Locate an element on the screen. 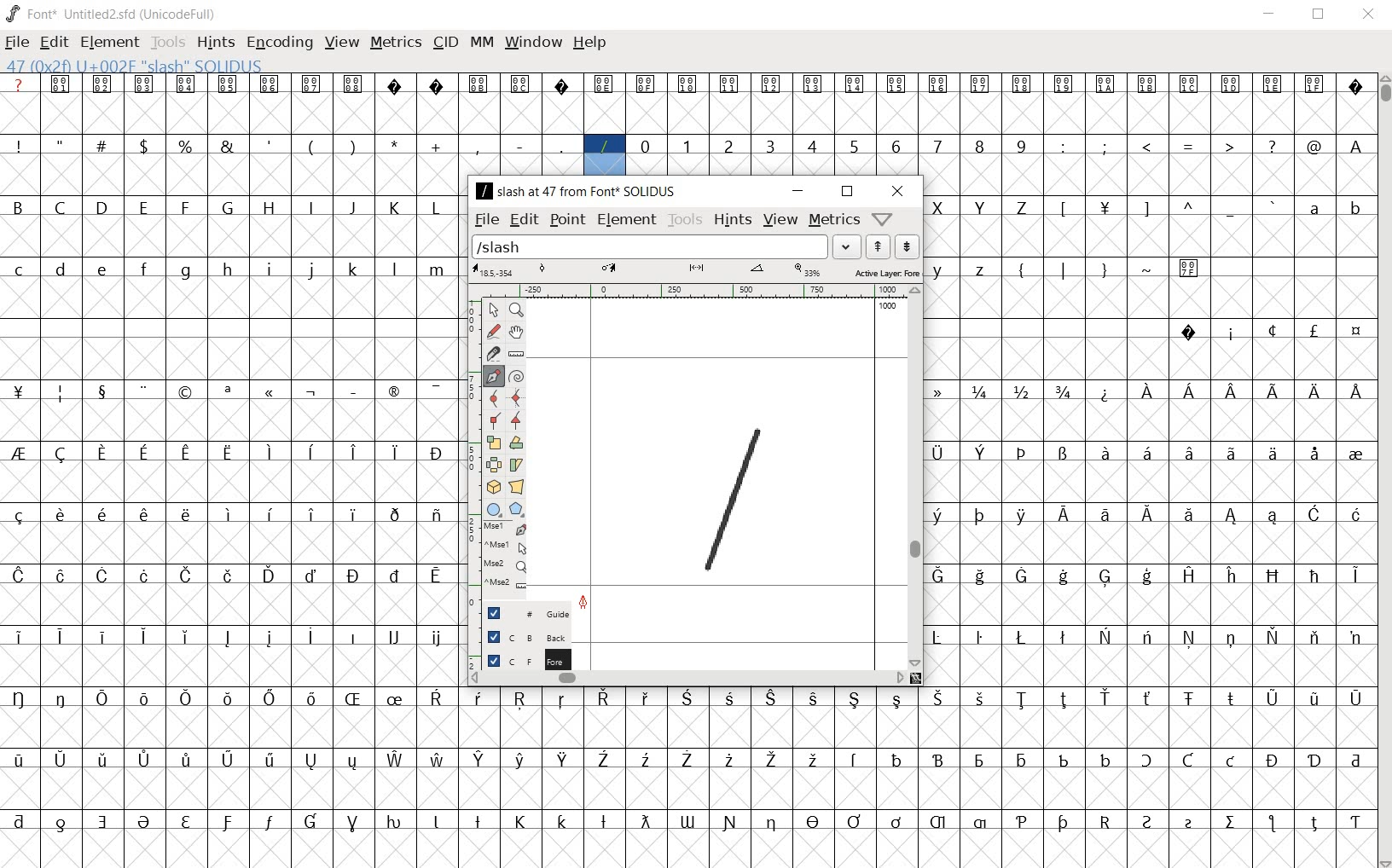 The width and height of the screenshot is (1392, 868). MM is located at coordinates (480, 42).